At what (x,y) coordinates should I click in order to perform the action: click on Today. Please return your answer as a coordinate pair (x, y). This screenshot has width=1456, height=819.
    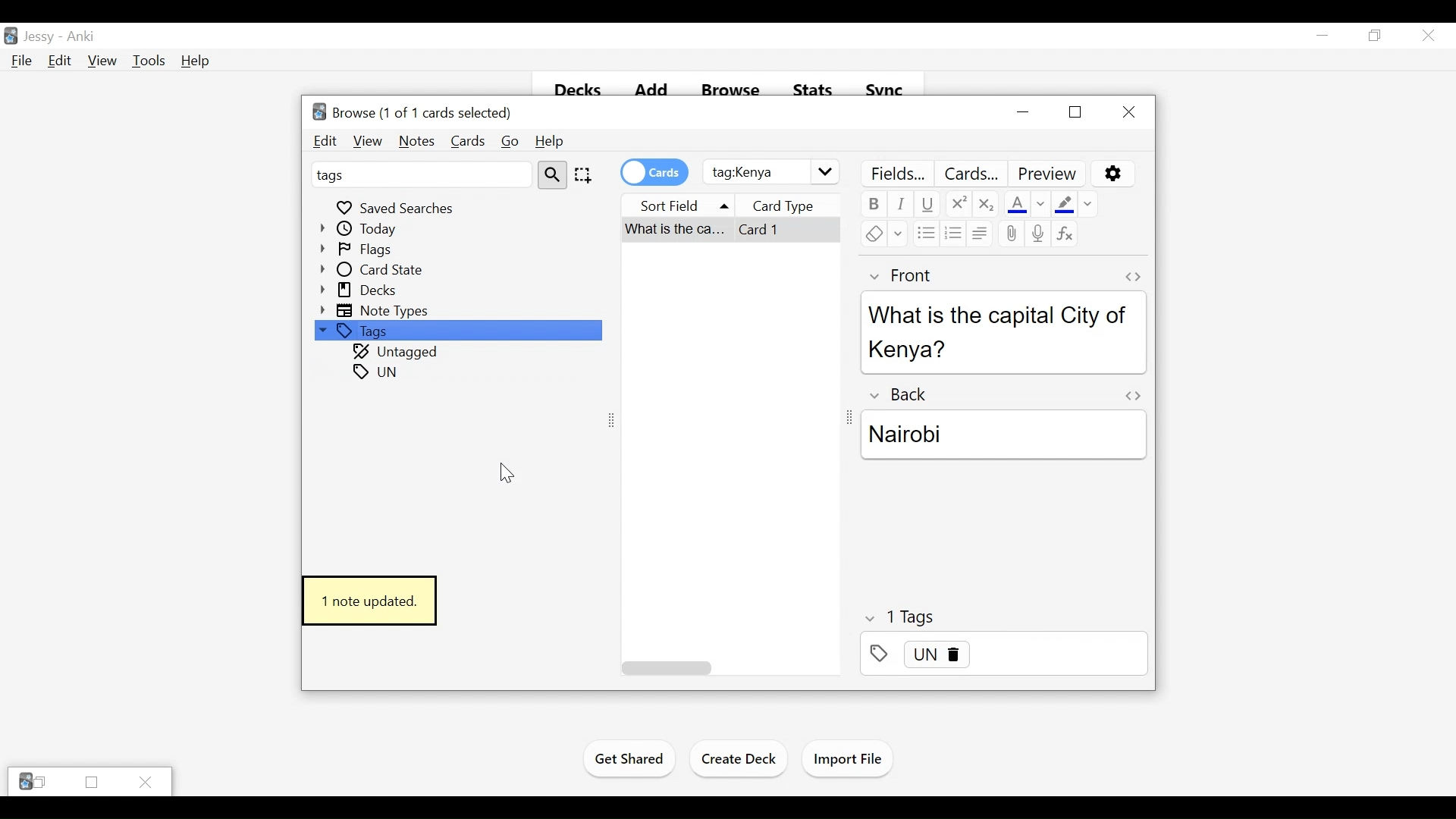
    Looking at the image, I should click on (361, 228).